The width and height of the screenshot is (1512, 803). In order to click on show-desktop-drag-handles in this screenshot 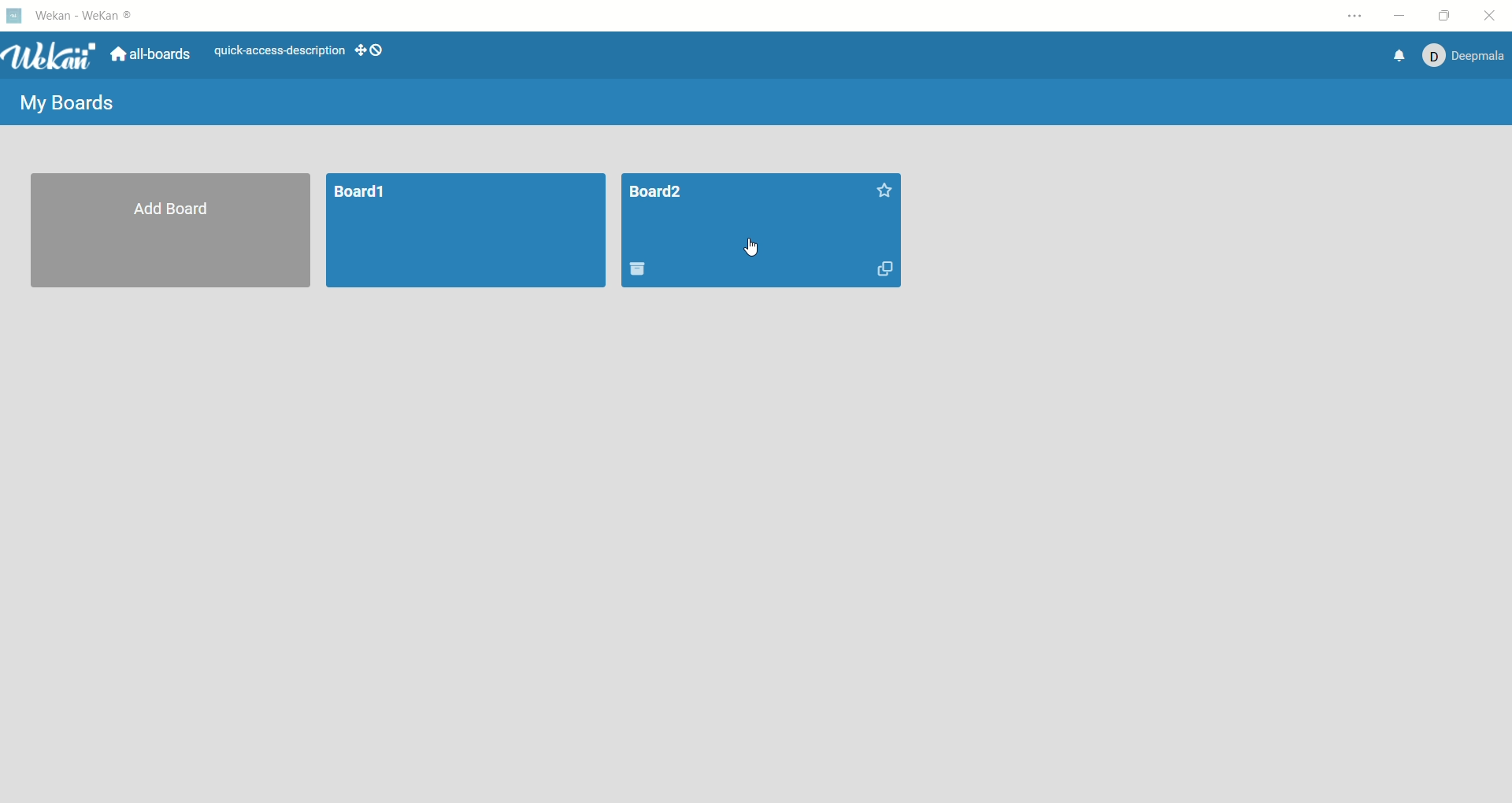, I will do `click(361, 48)`.